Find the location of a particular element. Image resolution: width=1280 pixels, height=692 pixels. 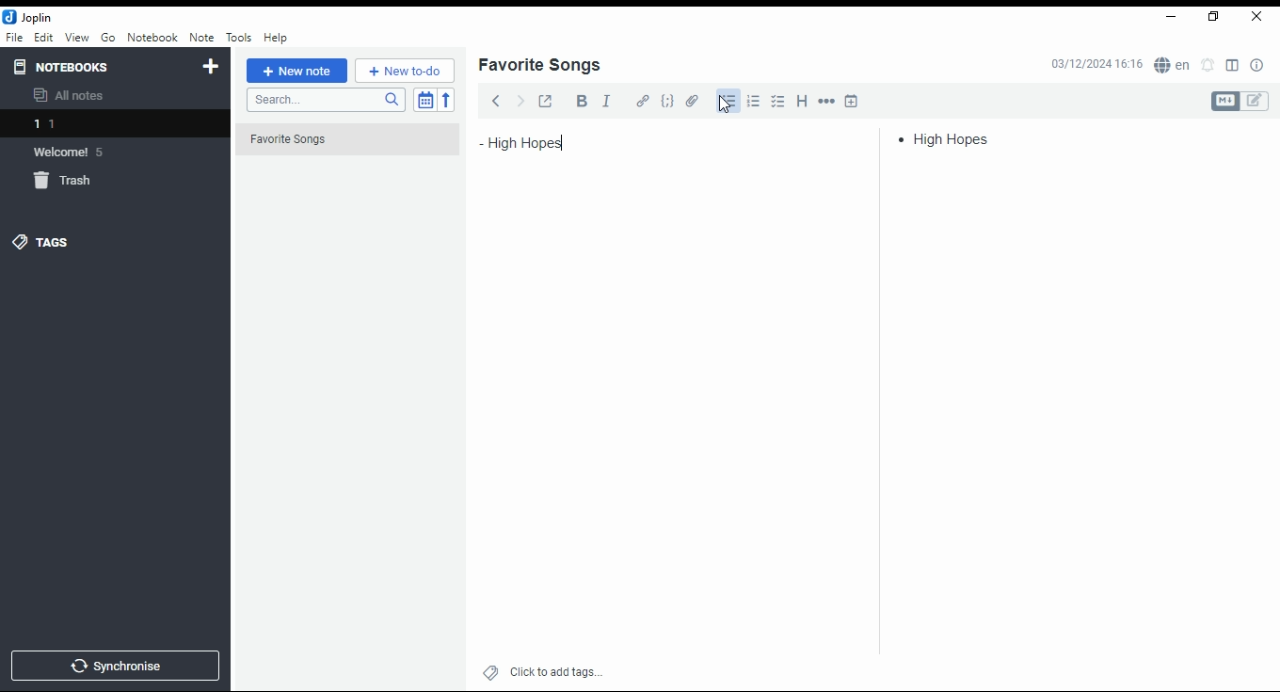

checkbox is located at coordinates (776, 103).